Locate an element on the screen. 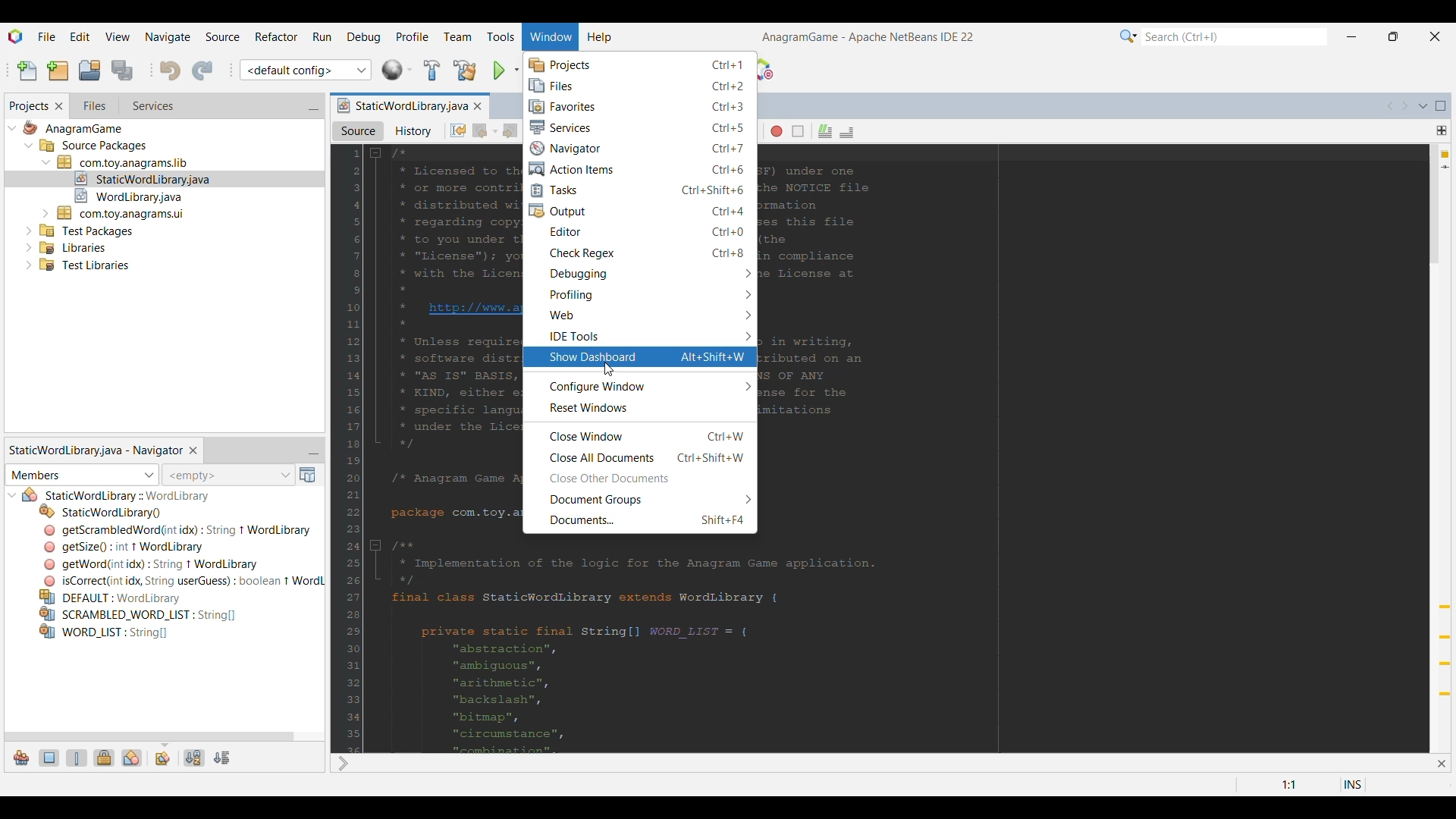 The image size is (1456, 819). Search options is located at coordinates (1128, 36).